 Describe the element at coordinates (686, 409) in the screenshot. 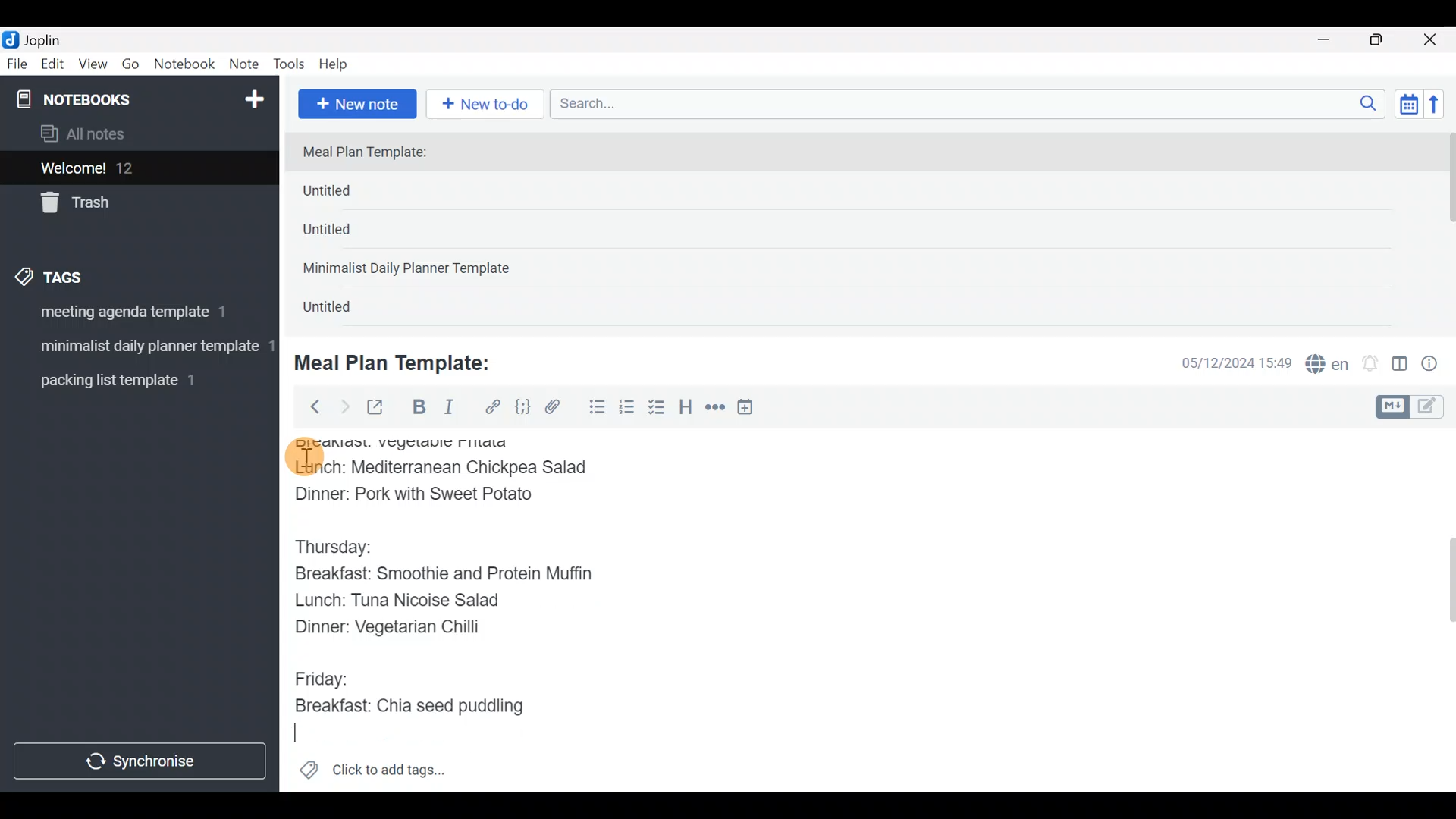

I see `Heading` at that location.